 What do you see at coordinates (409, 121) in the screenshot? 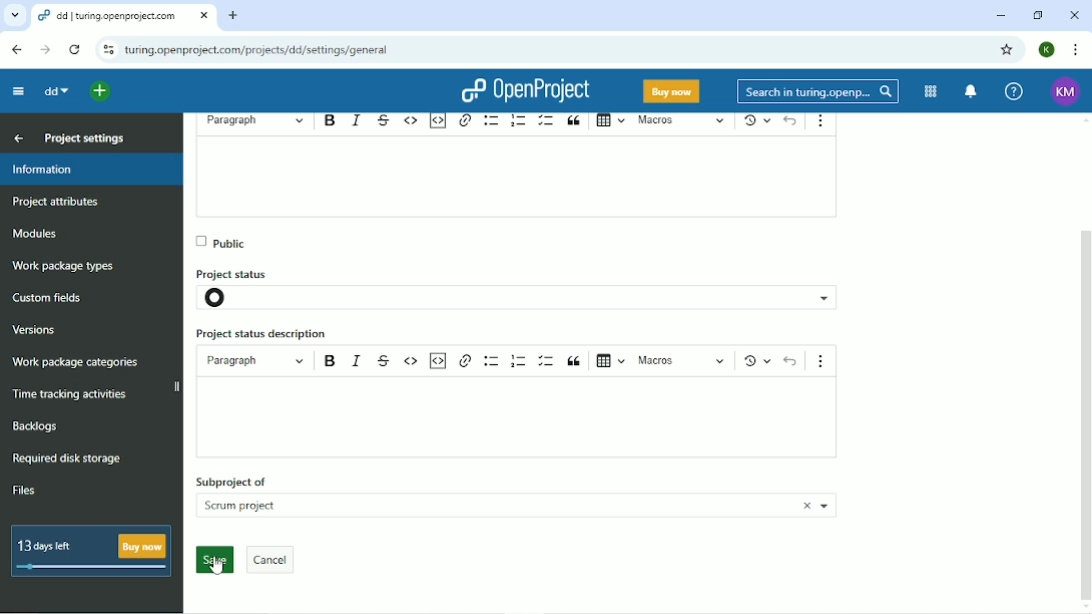
I see `Code` at bounding box center [409, 121].